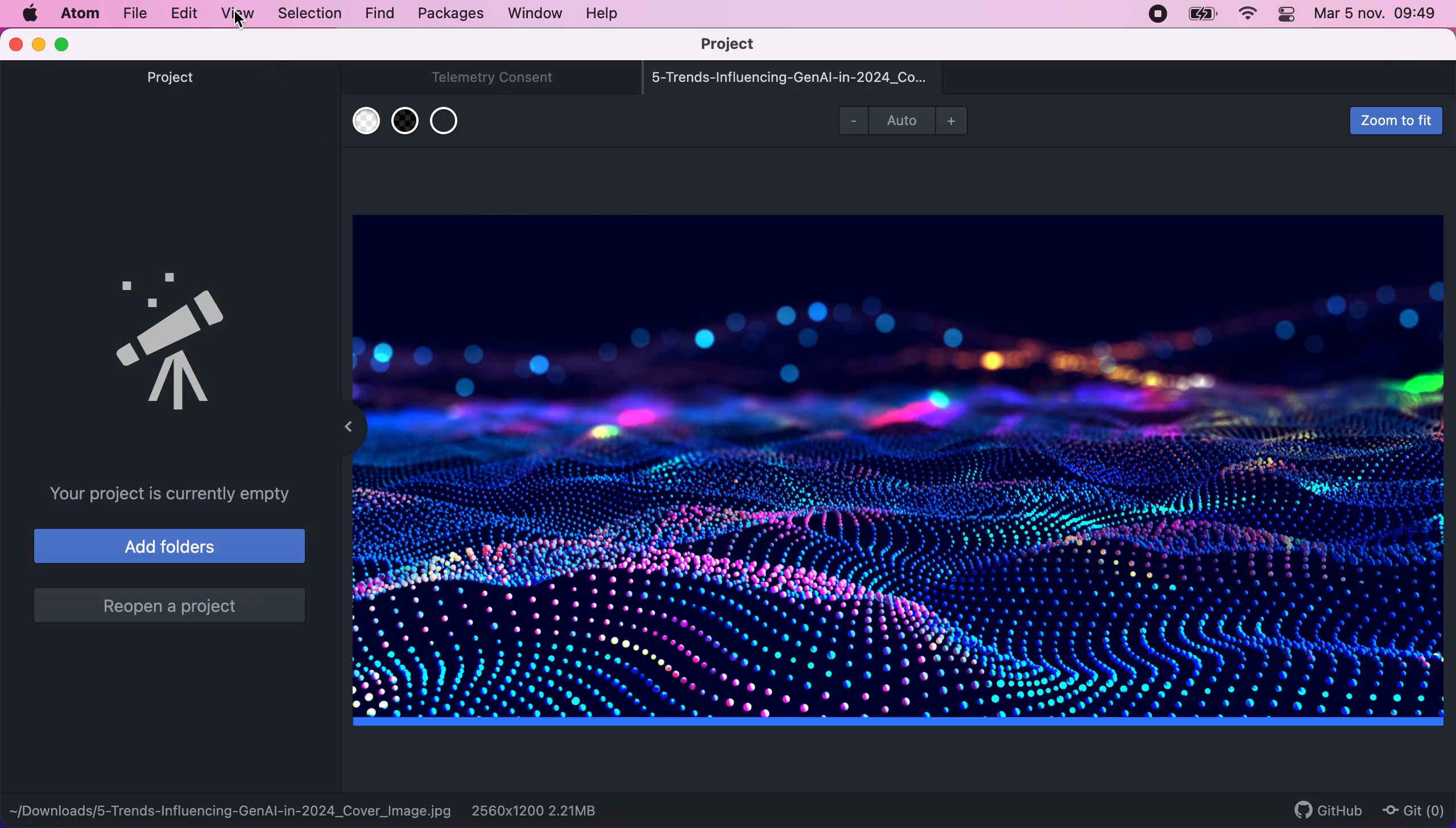 The image size is (1456, 828). Describe the element at coordinates (1362, 808) in the screenshot. I see `github git (0)` at that location.